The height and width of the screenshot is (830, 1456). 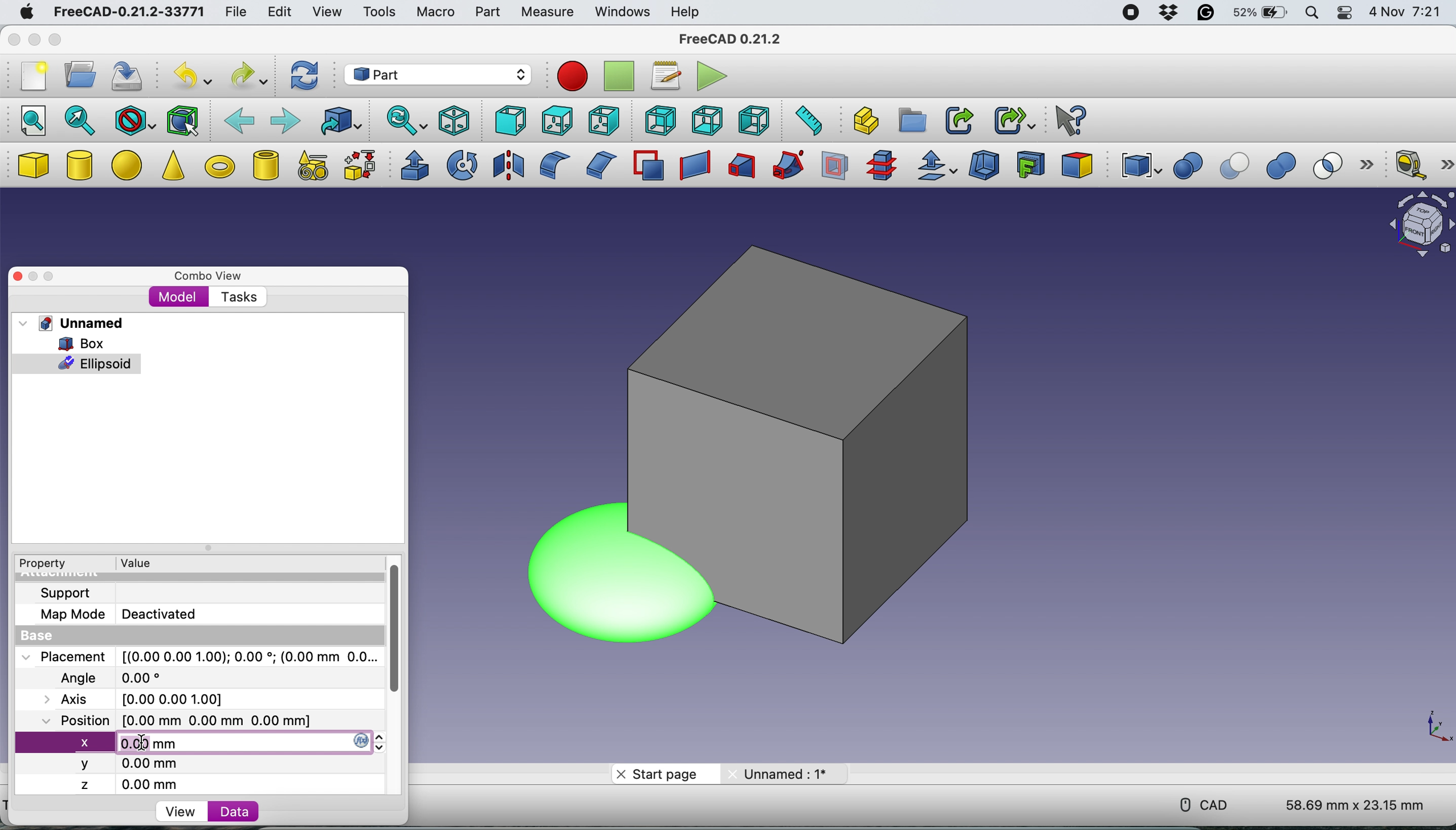 I want to click on color per face, so click(x=1078, y=164).